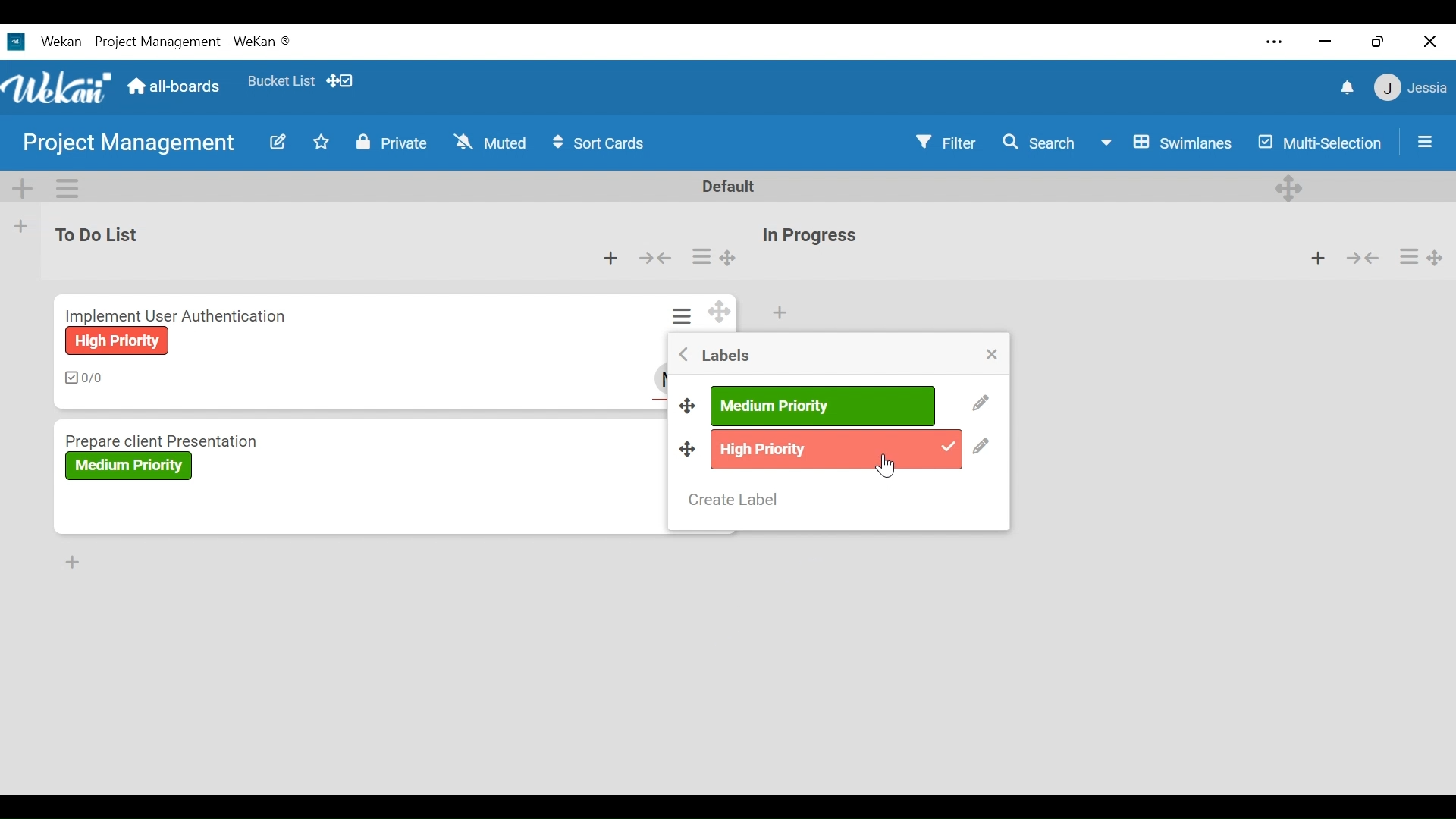 This screenshot has width=1456, height=819. What do you see at coordinates (322, 142) in the screenshot?
I see `Toggle favorites` at bounding box center [322, 142].